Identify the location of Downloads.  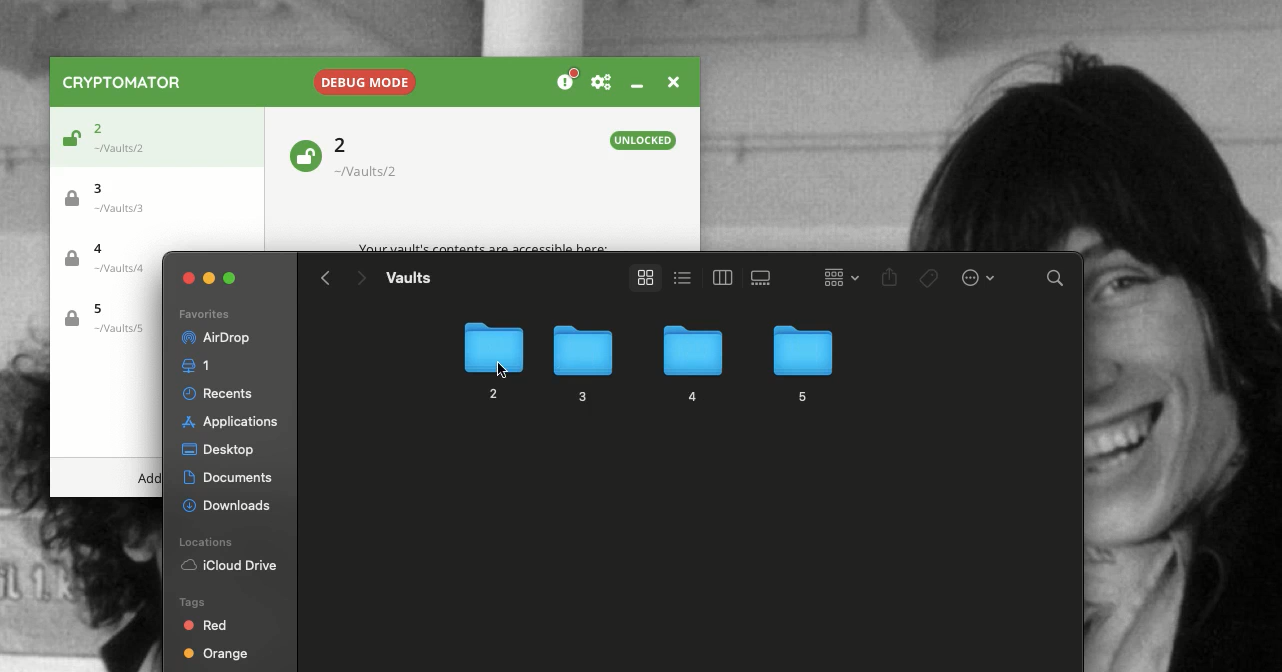
(229, 503).